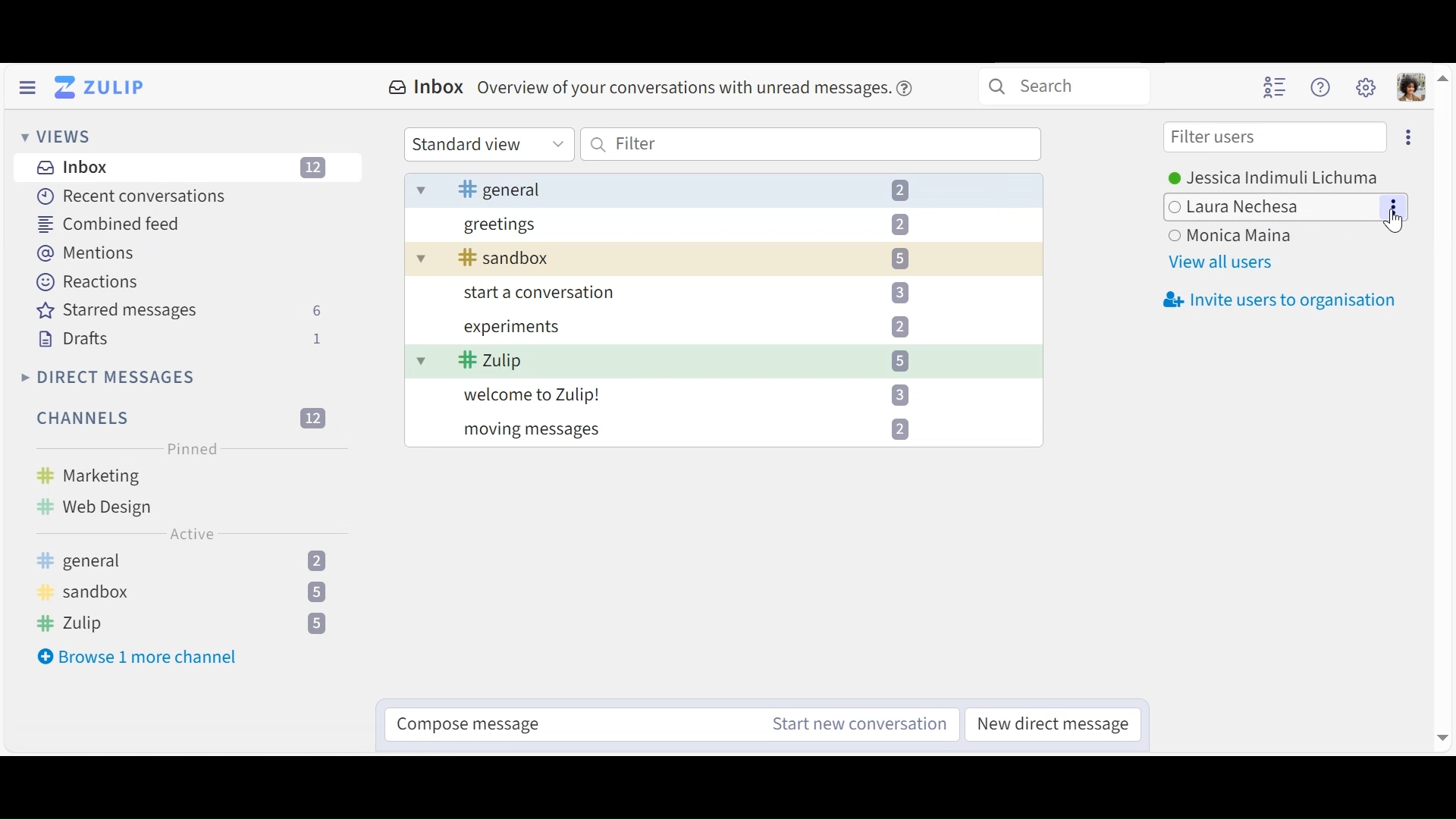  Describe the element at coordinates (191, 623) in the screenshot. I see `zulip` at that location.